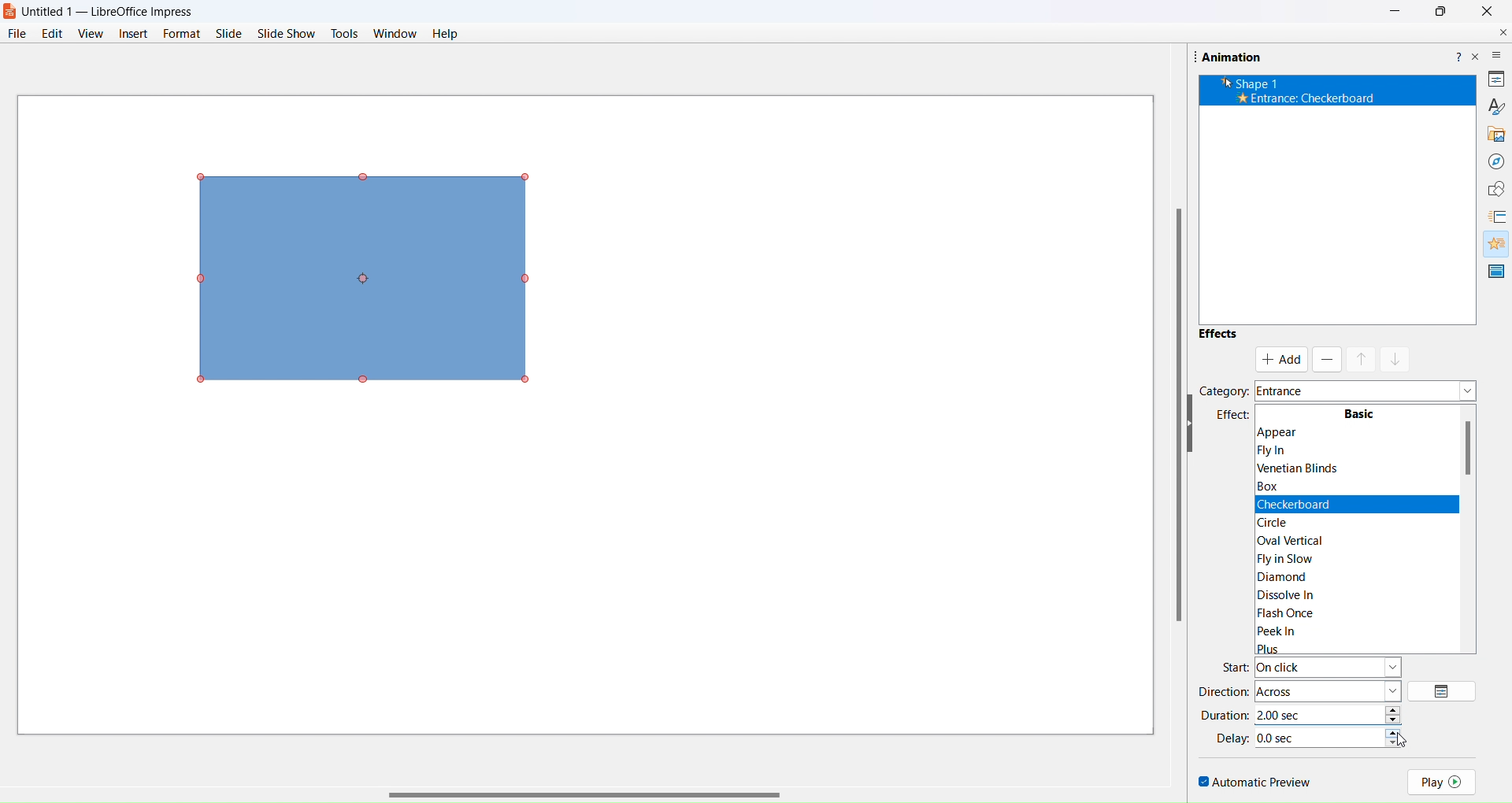 This screenshot has height=803, width=1512. I want to click on time, so click(1321, 713).